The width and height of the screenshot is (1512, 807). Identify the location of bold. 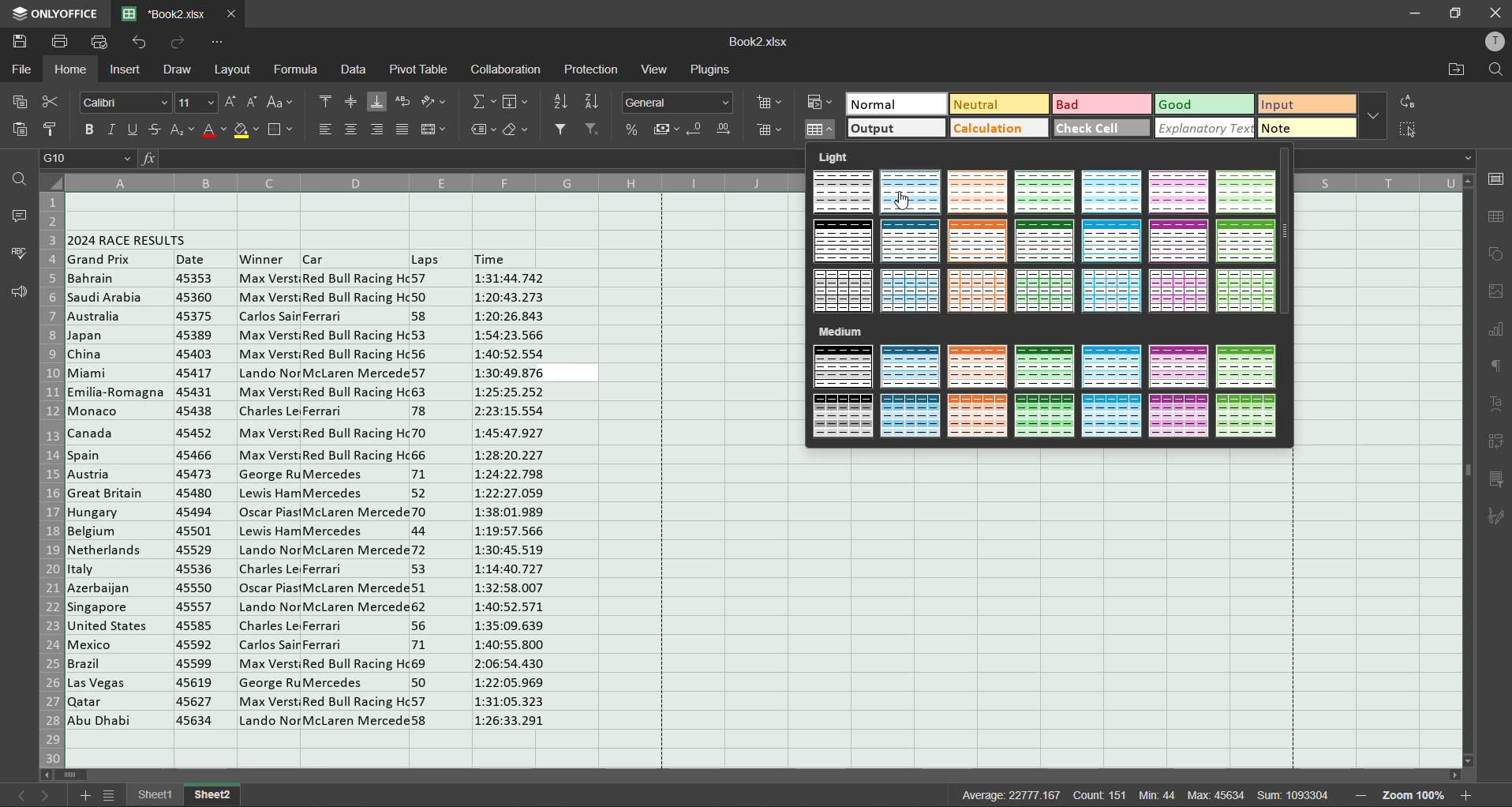
(91, 129).